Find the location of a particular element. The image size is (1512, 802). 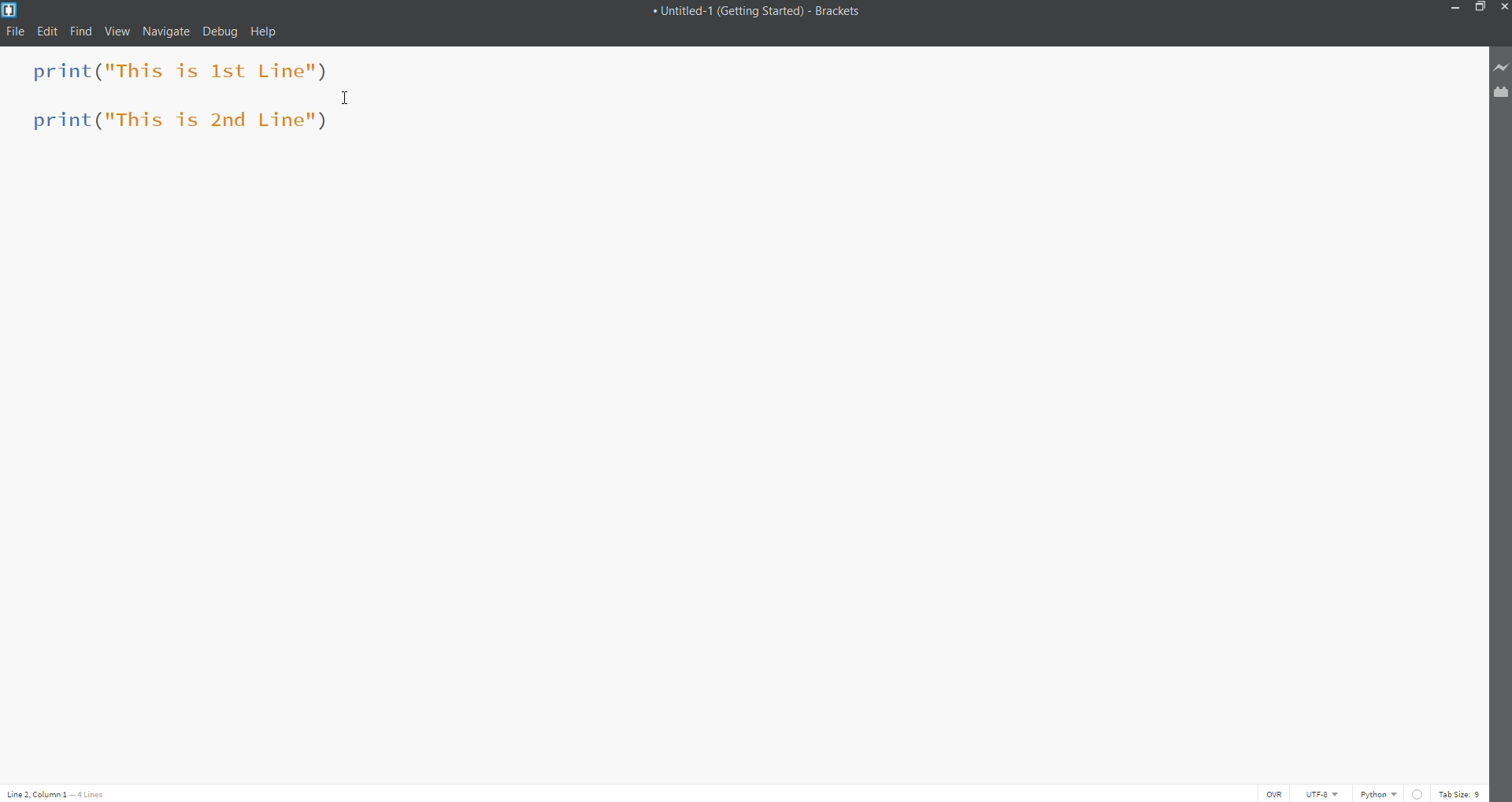

Find is located at coordinates (77, 32).